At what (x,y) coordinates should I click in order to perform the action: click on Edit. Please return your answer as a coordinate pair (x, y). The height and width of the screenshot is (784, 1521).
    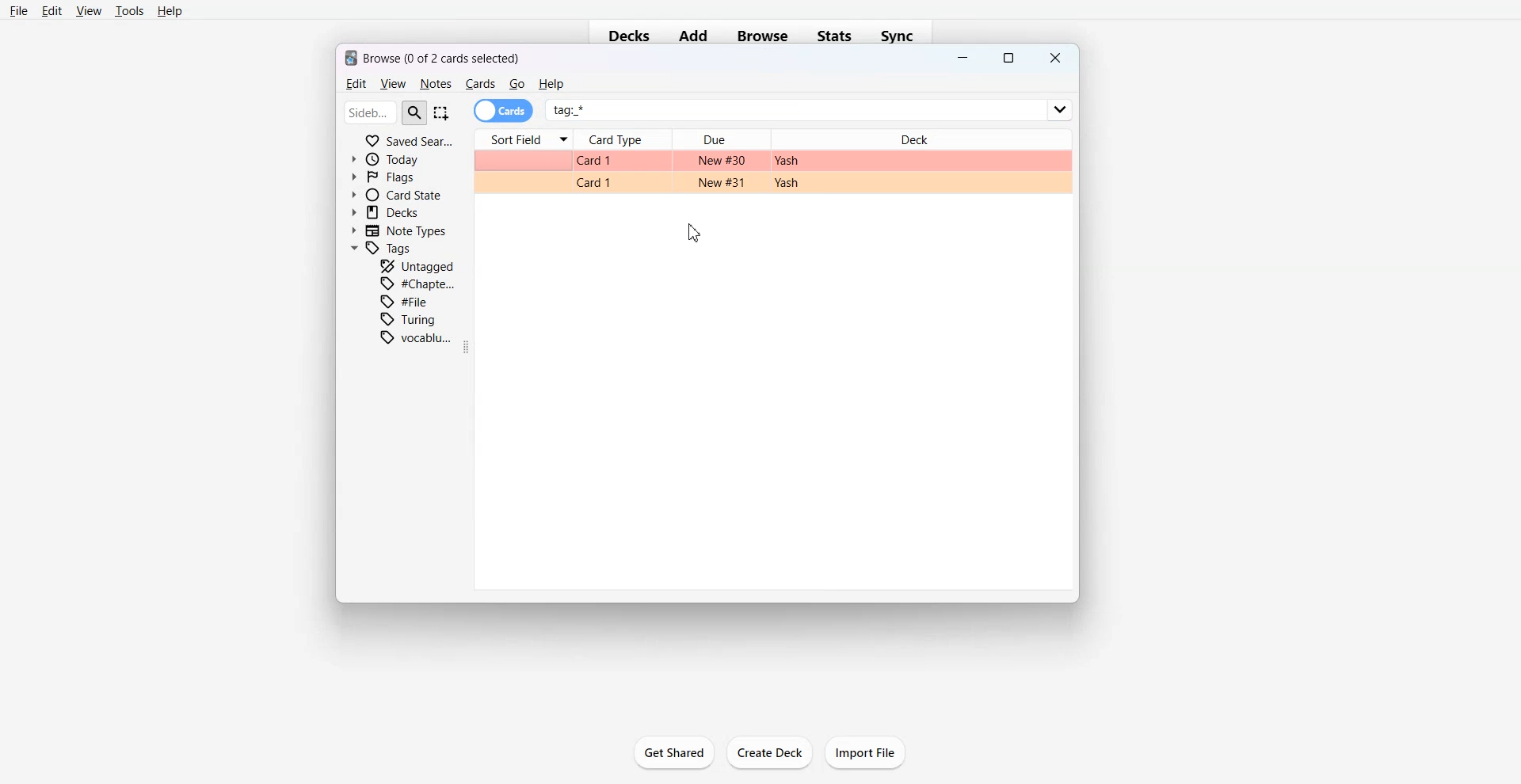
    Looking at the image, I should click on (52, 10).